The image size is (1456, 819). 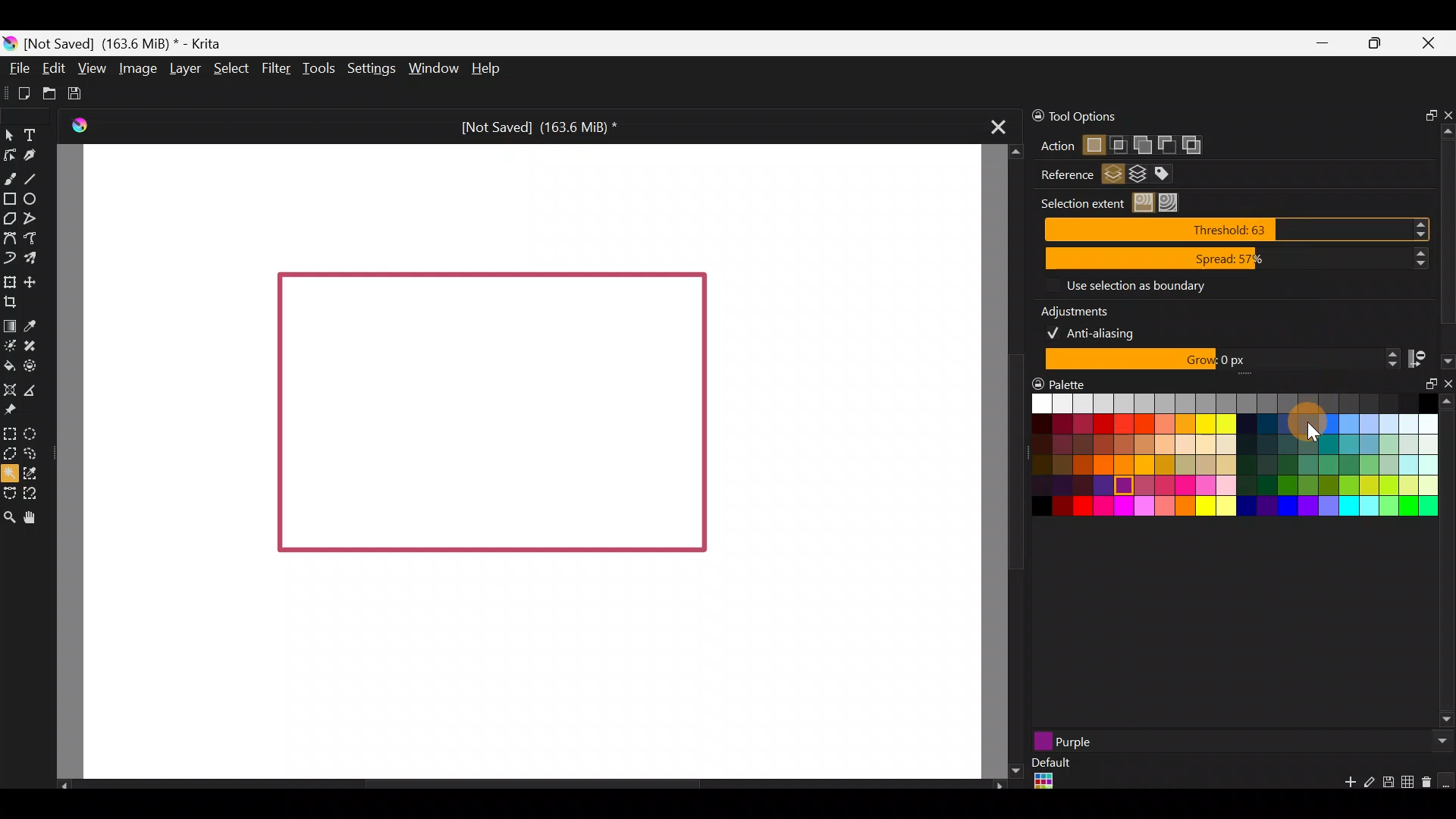 What do you see at coordinates (1447, 230) in the screenshot?
I see `Scroll  bar` at bounding box center [1447, 230].